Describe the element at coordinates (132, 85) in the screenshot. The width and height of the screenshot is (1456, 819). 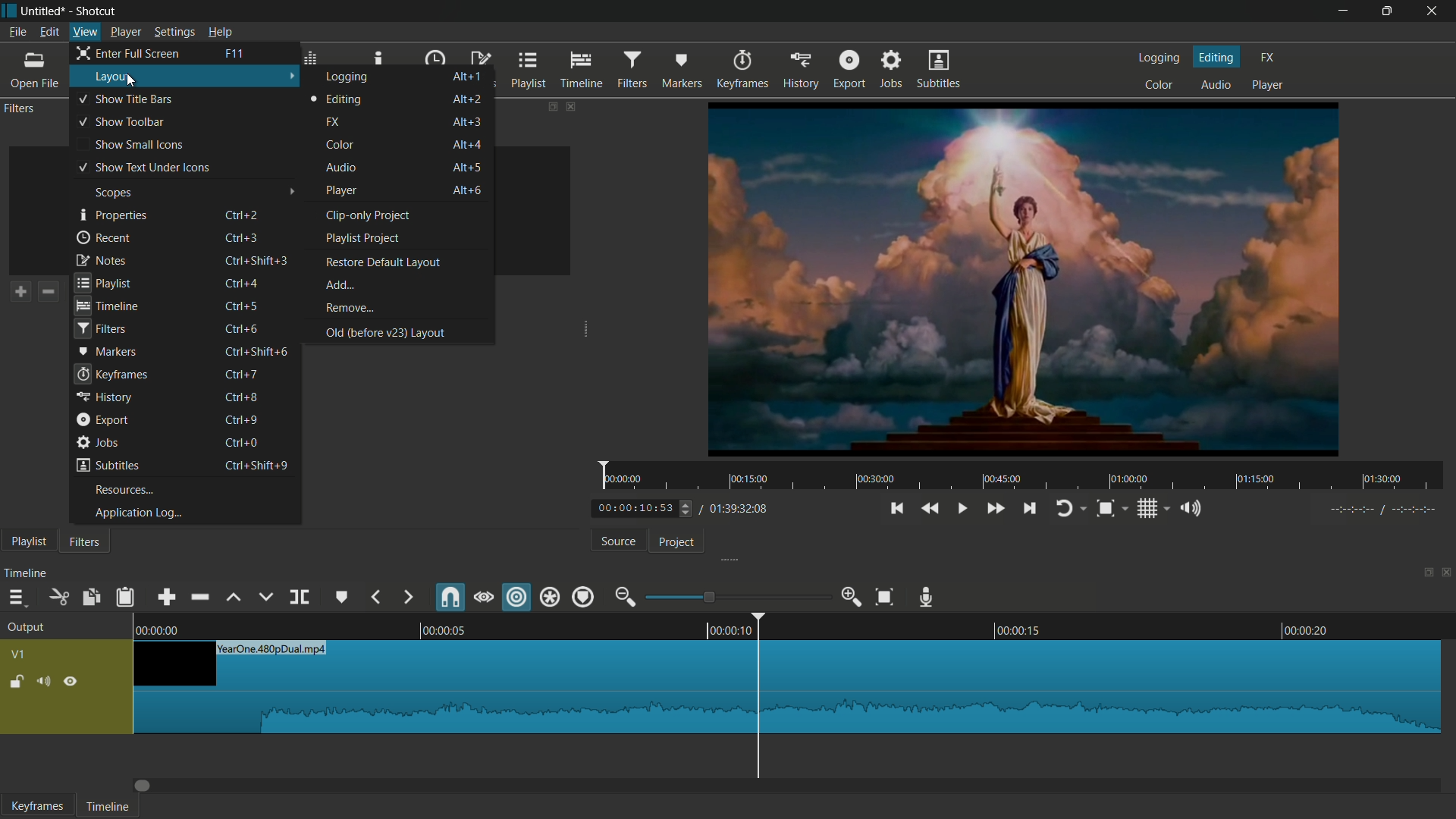
I see `save` at that location.